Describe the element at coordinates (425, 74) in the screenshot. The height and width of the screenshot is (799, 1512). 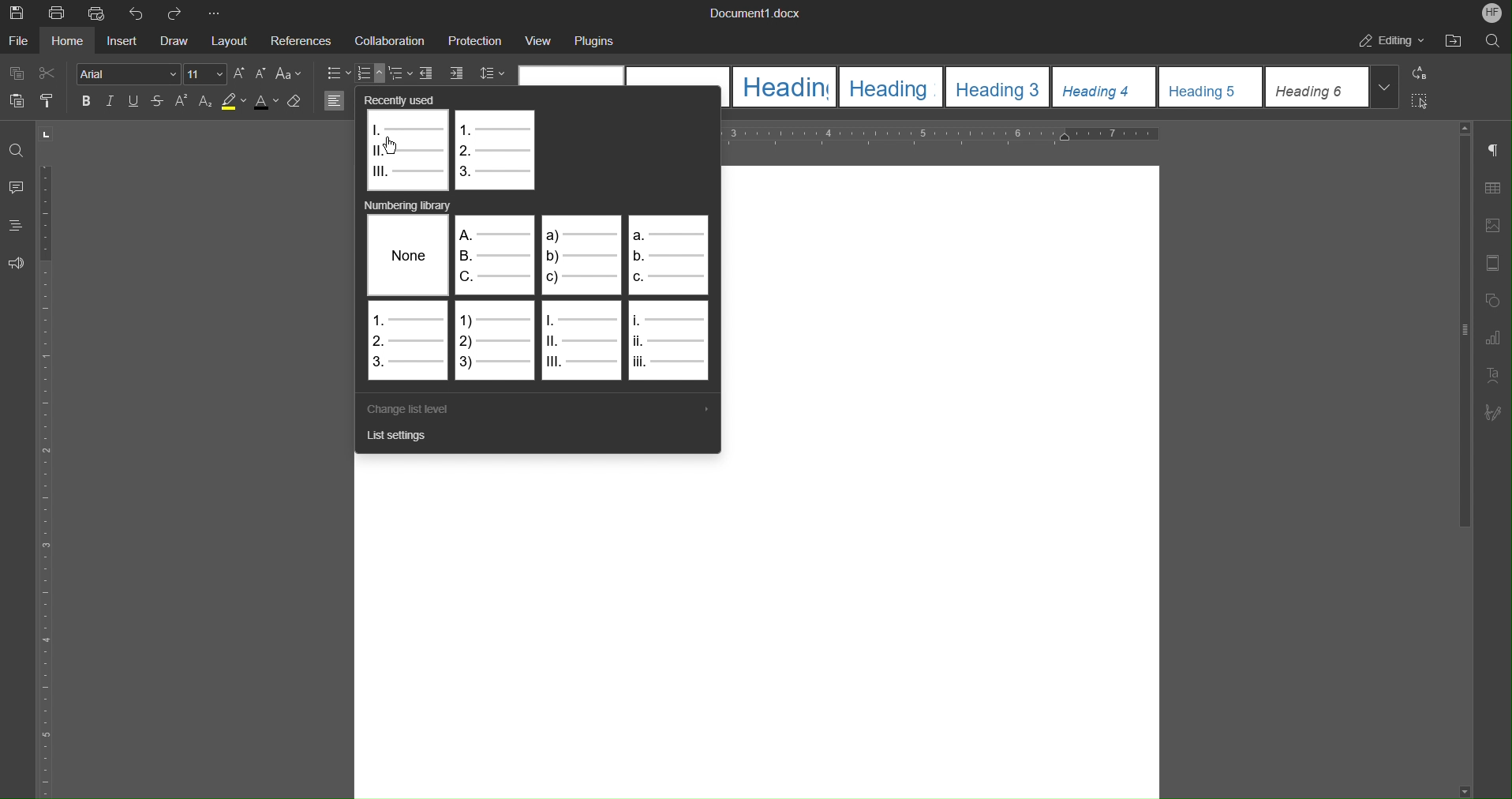
I see `Decrease Indent` at that location.